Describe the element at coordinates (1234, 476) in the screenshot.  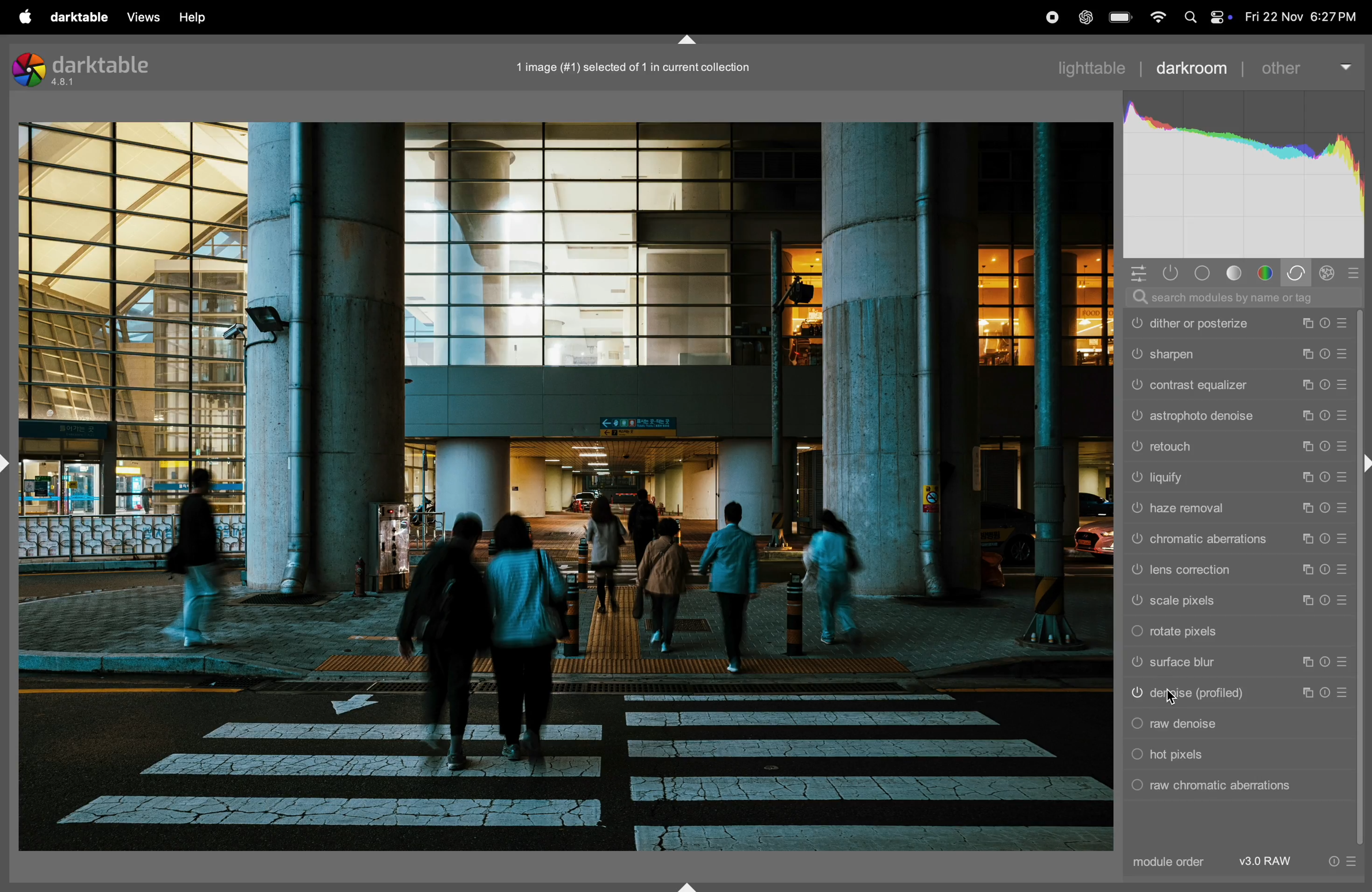
I see `liqufy` at that location.